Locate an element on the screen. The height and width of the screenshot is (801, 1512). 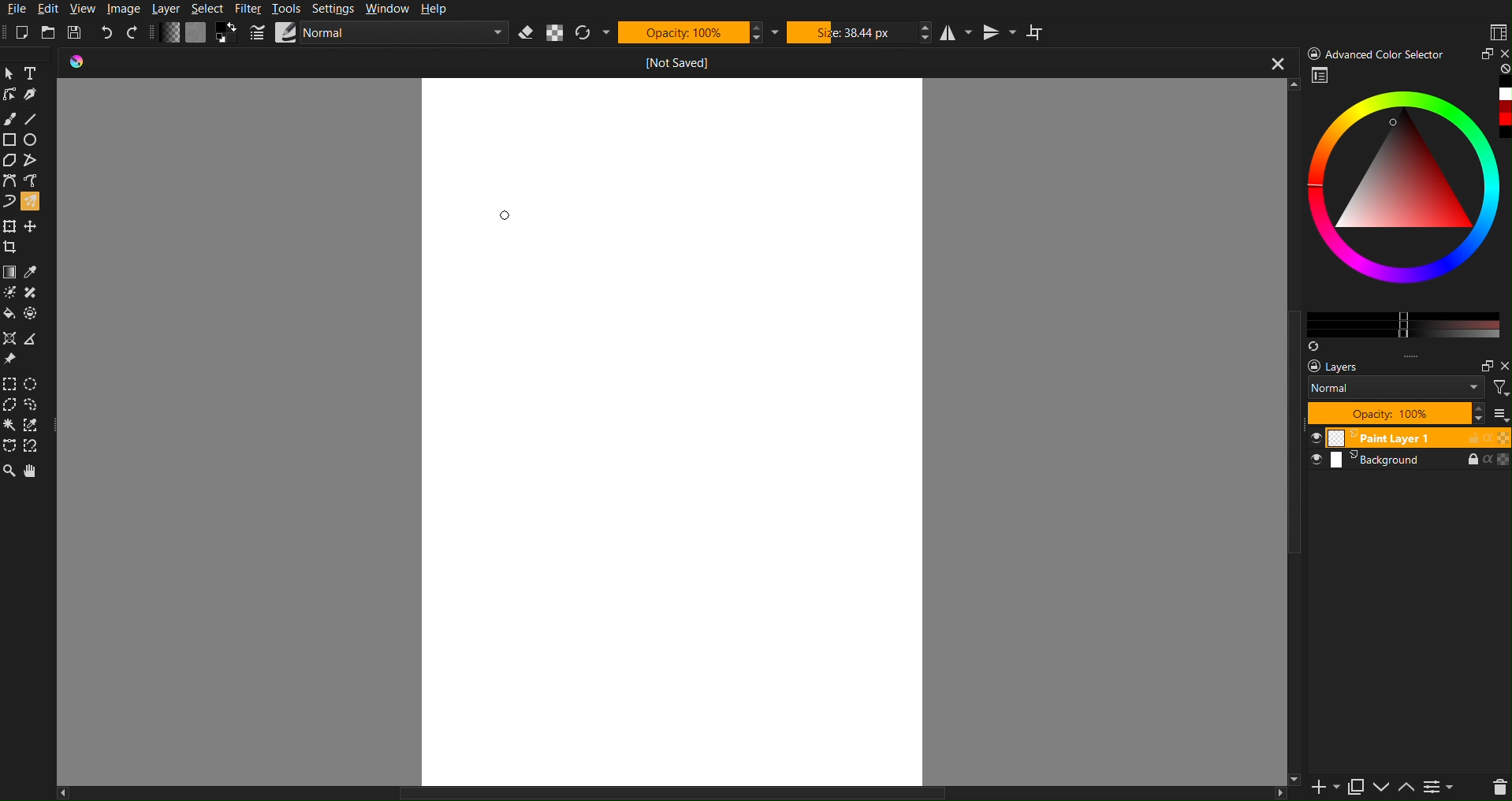
Line is located at coordinates (35, 119).